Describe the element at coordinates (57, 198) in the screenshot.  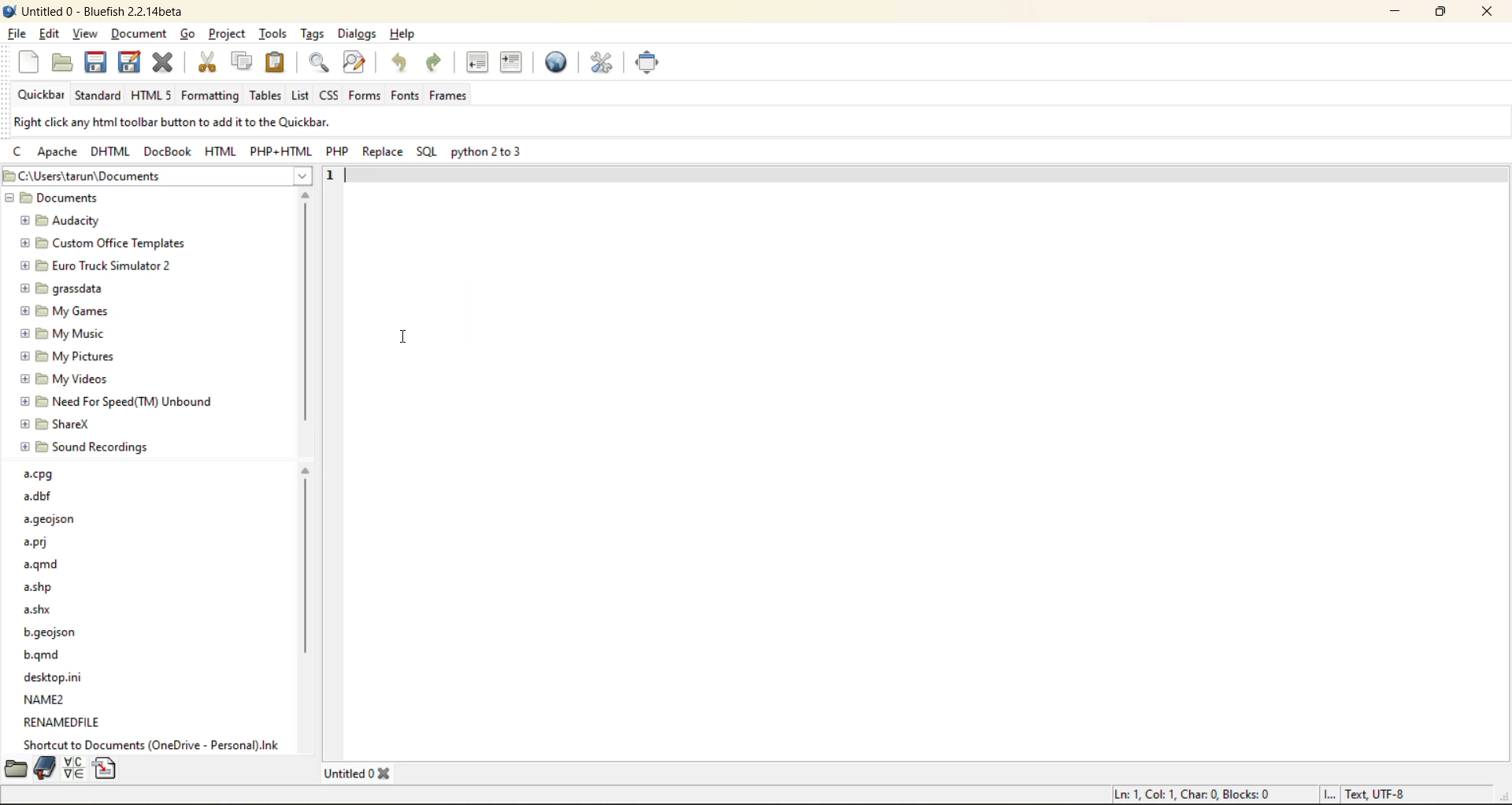
I see `Documents` at that location.